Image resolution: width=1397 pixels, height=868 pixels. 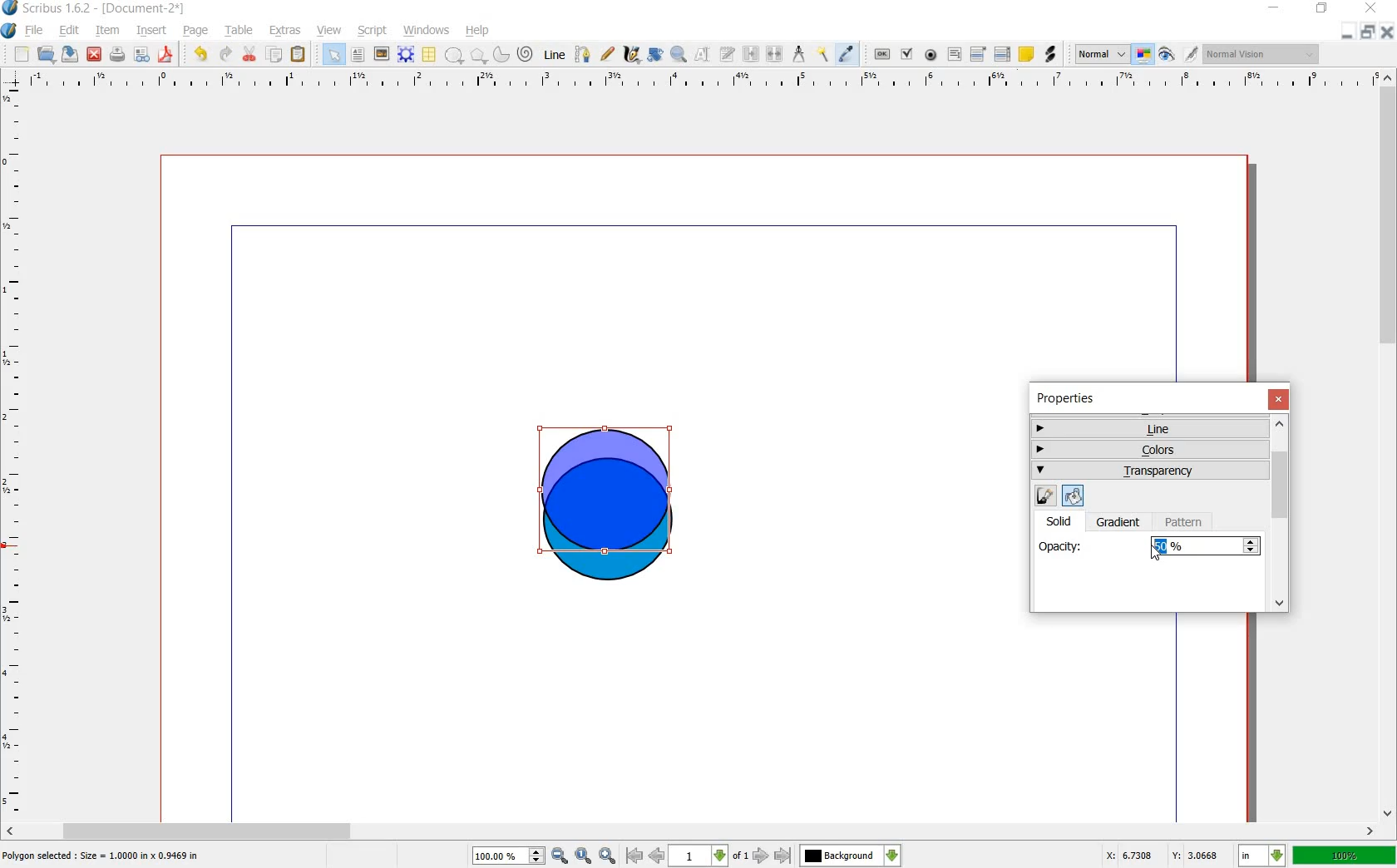 I want to click on text annotation, so click(x=1028, y=55).